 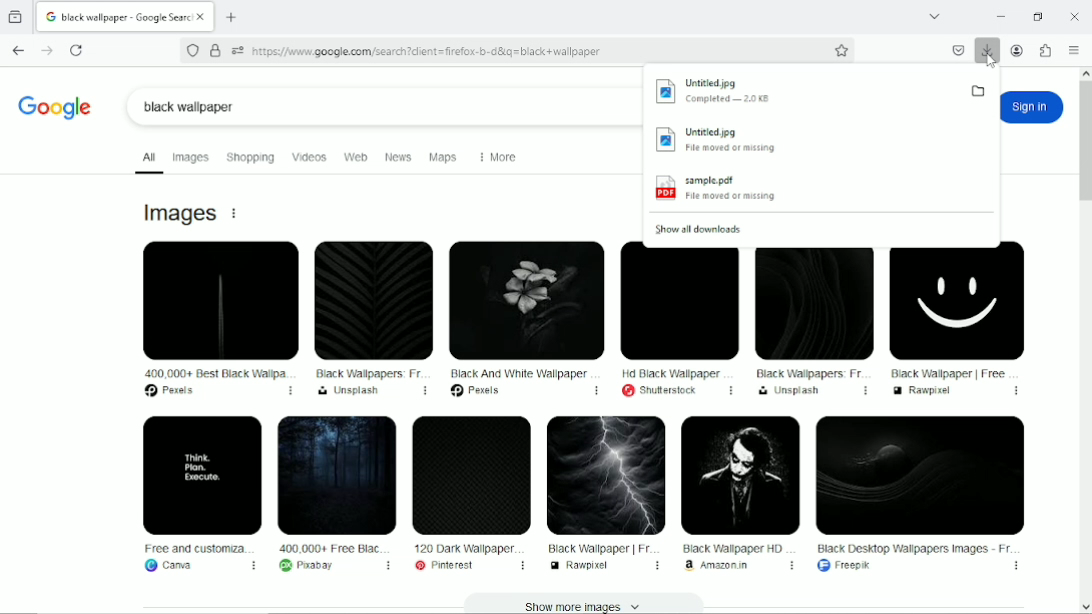 What do you see at coordinates (373, 318) in the screenshot?
I see `Black Wallpapers: Fr...` at bounding box center [373, 318].